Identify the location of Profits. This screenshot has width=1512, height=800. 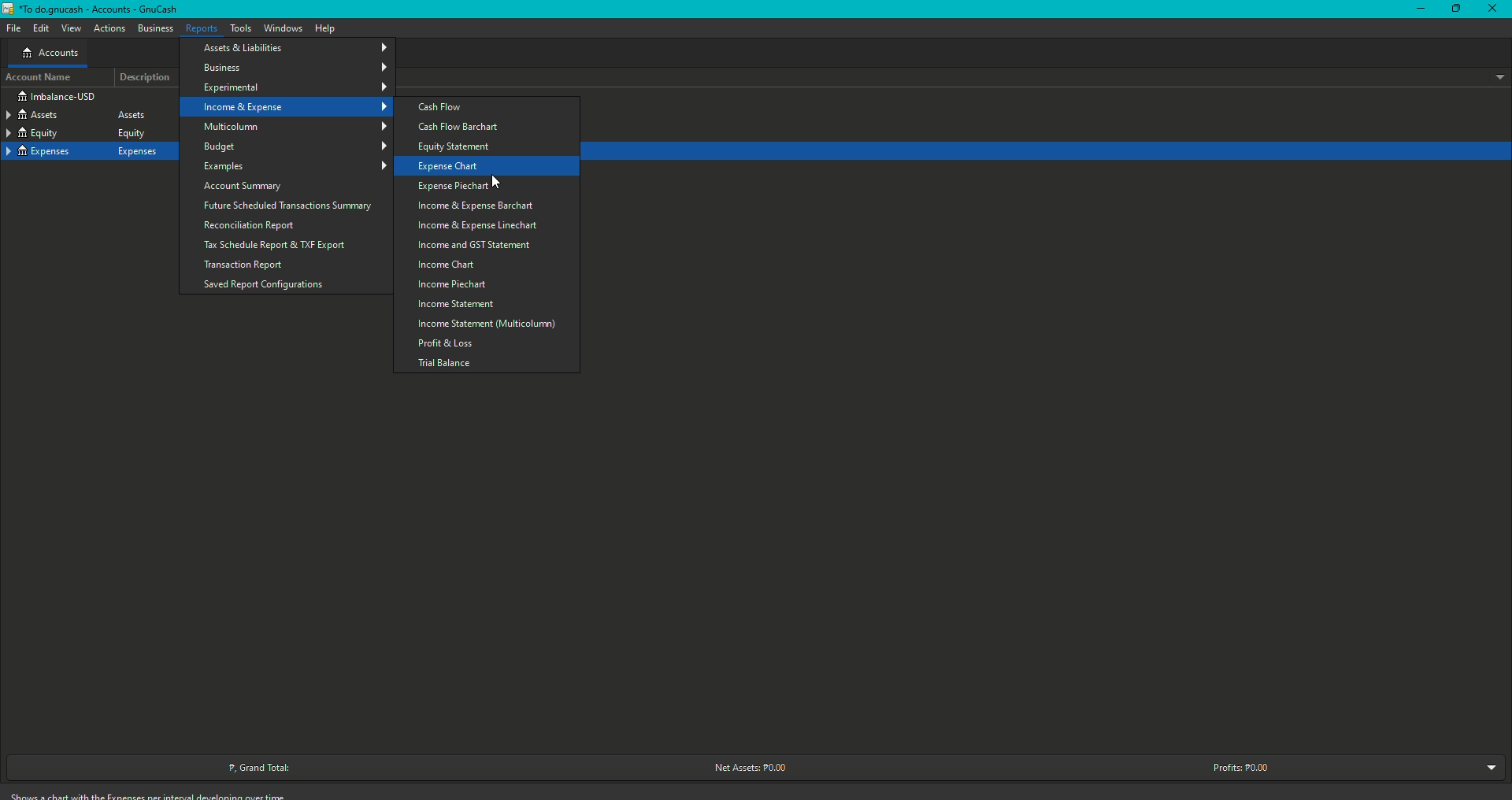
(1241, 766).